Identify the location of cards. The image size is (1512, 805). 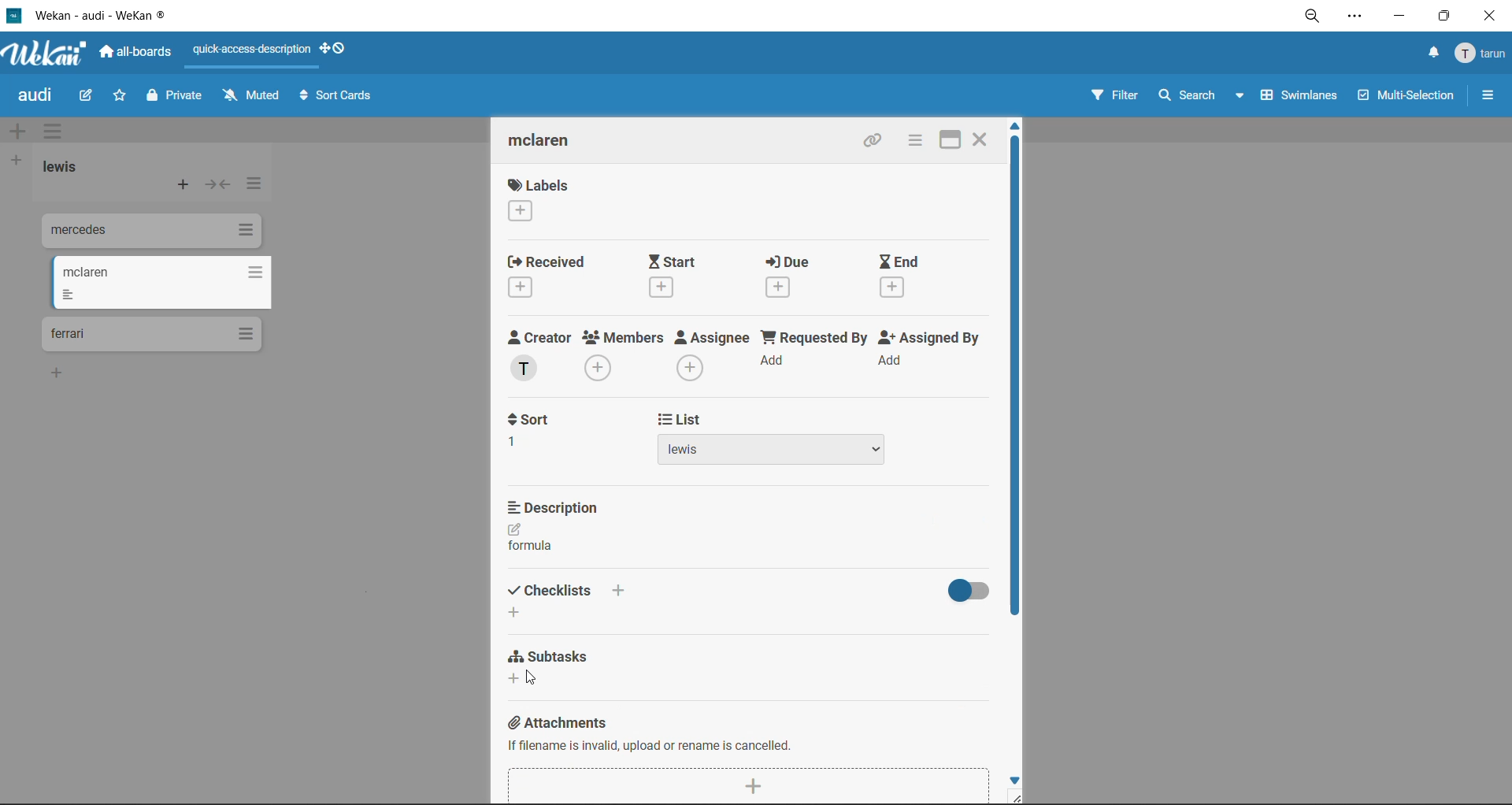
(149, 233).